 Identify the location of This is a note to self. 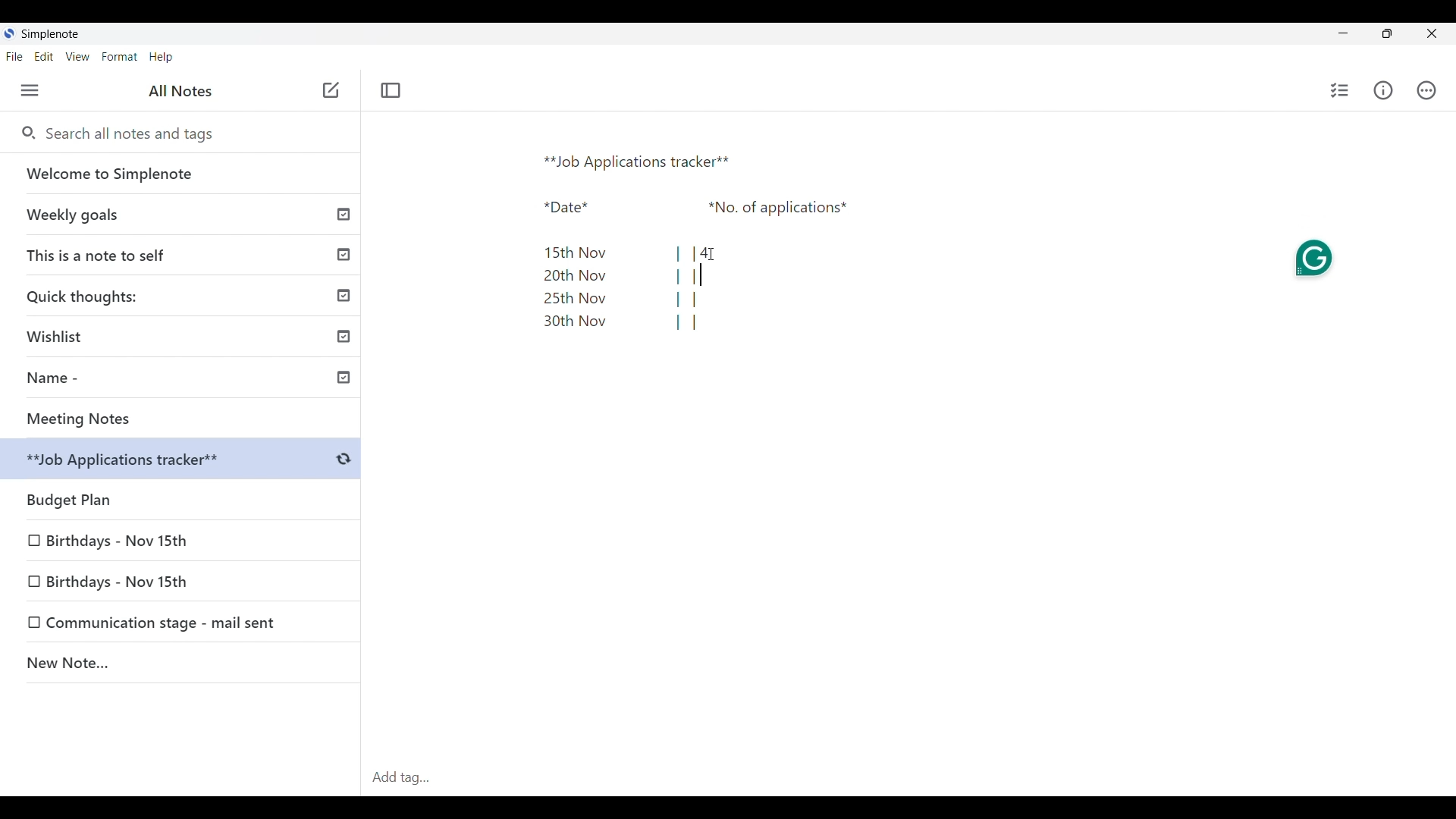
(183, 254).